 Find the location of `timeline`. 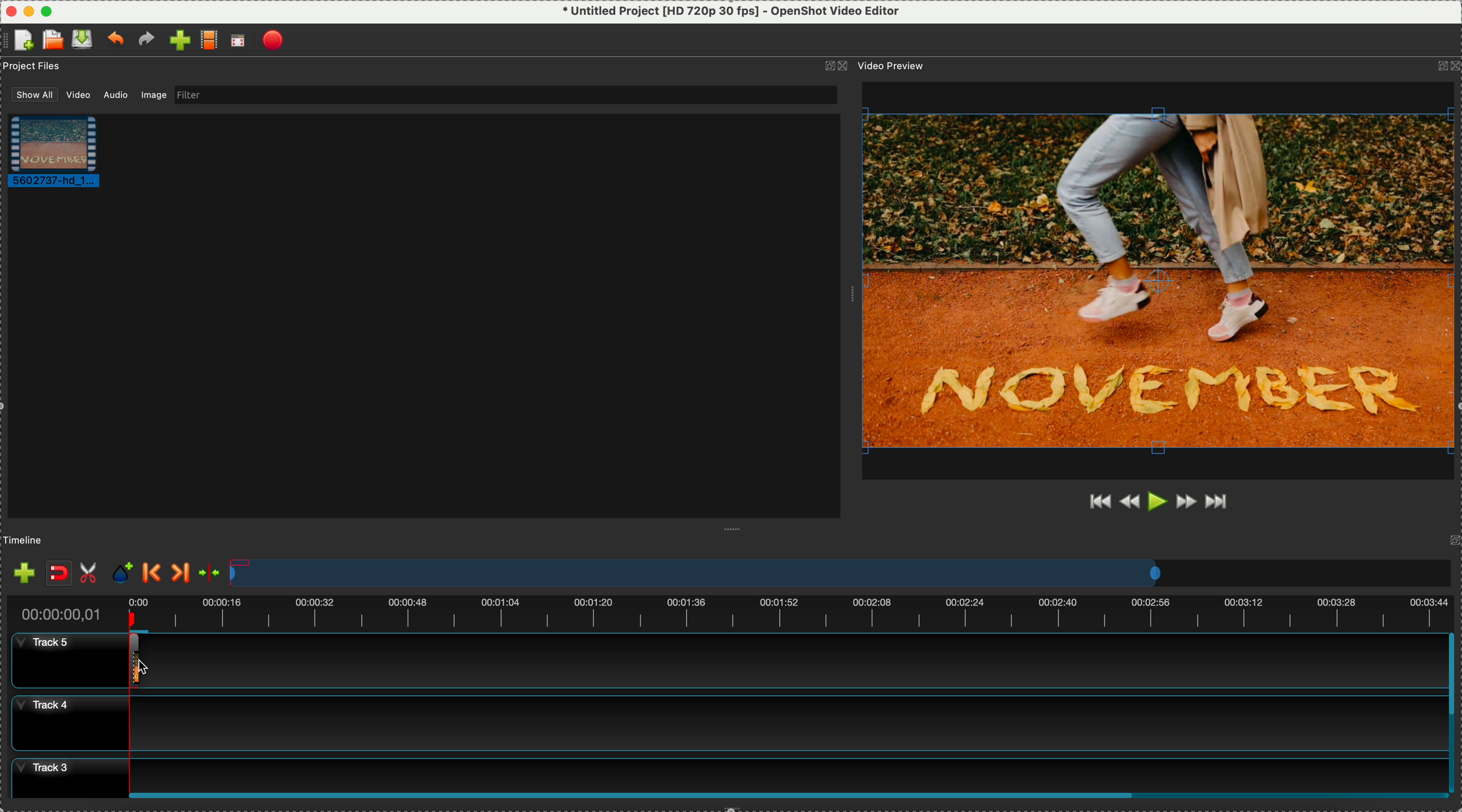

timeline is located at coordinates (27, 539).